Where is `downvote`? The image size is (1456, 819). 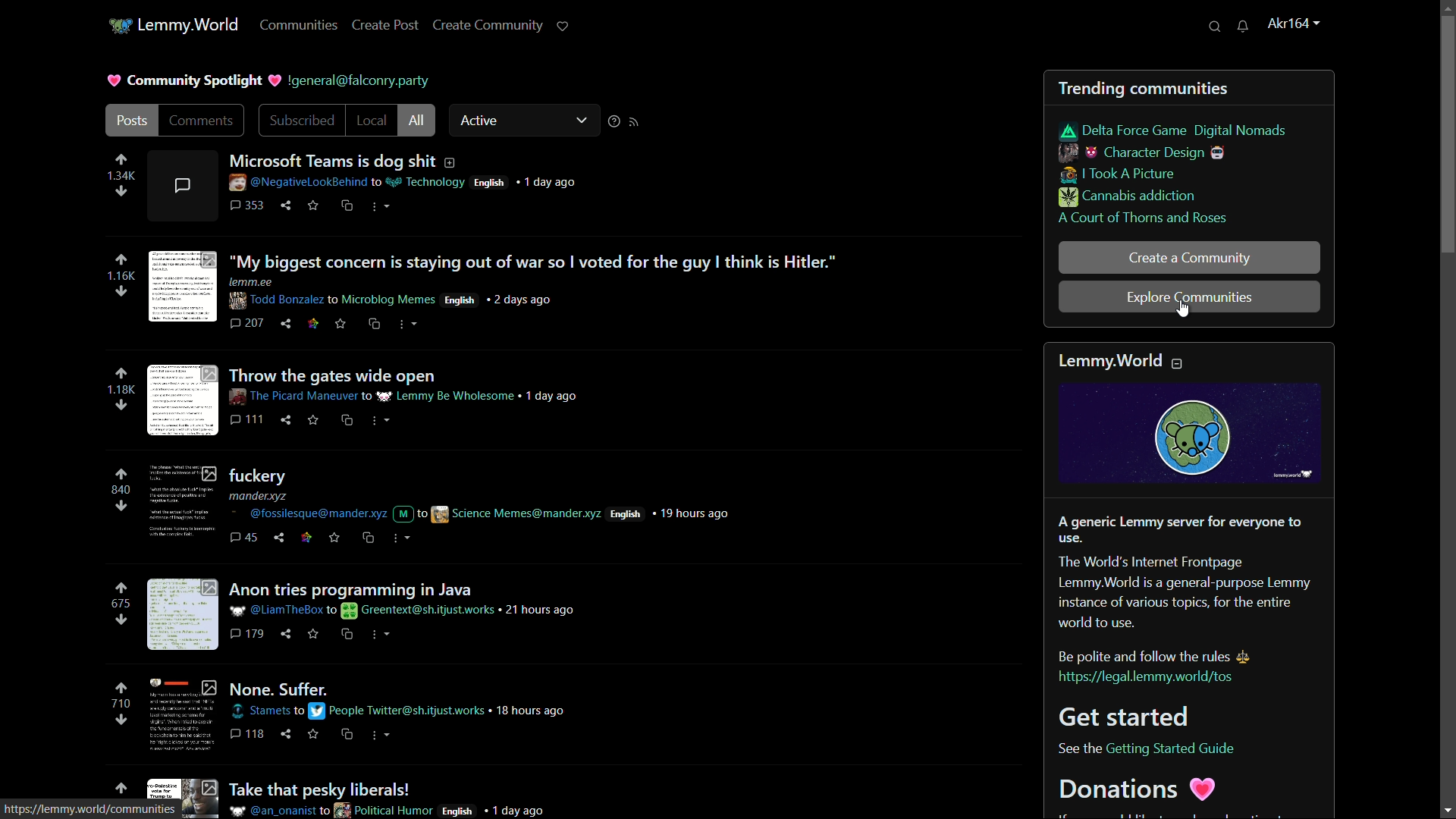 downvote is located at coordinates (121, 719).